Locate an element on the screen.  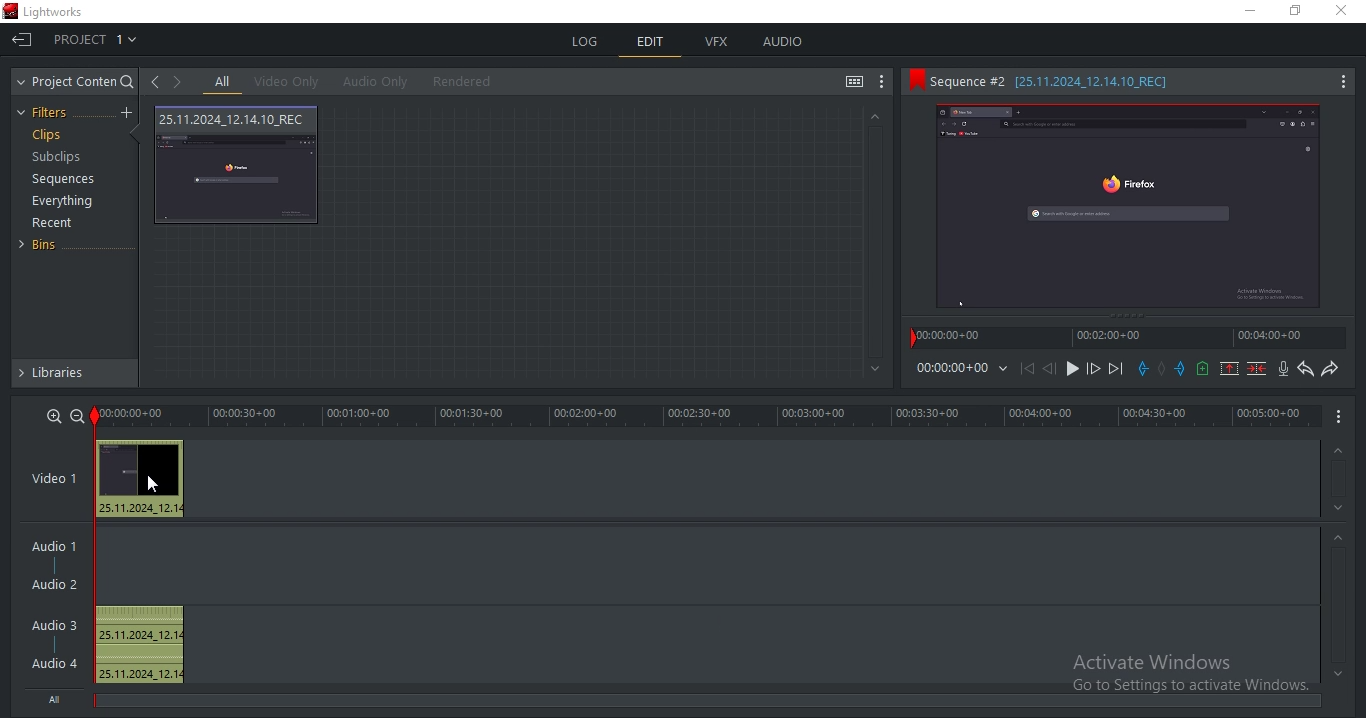
timeline is located at coordinates (707, 416).